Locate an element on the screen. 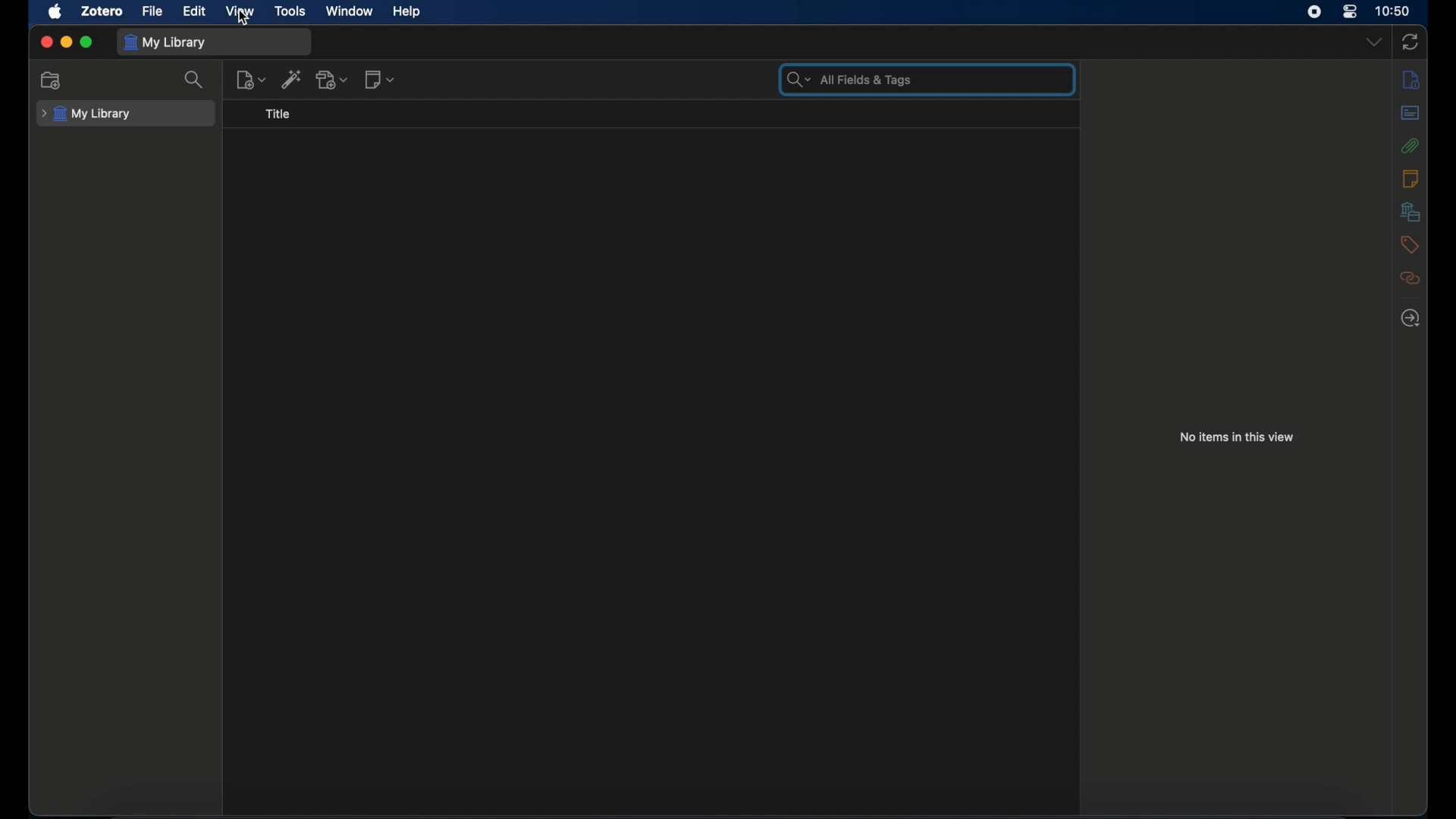 This screenshot has width=1456, height=819. abstract is located at coordinates (1411, 112).